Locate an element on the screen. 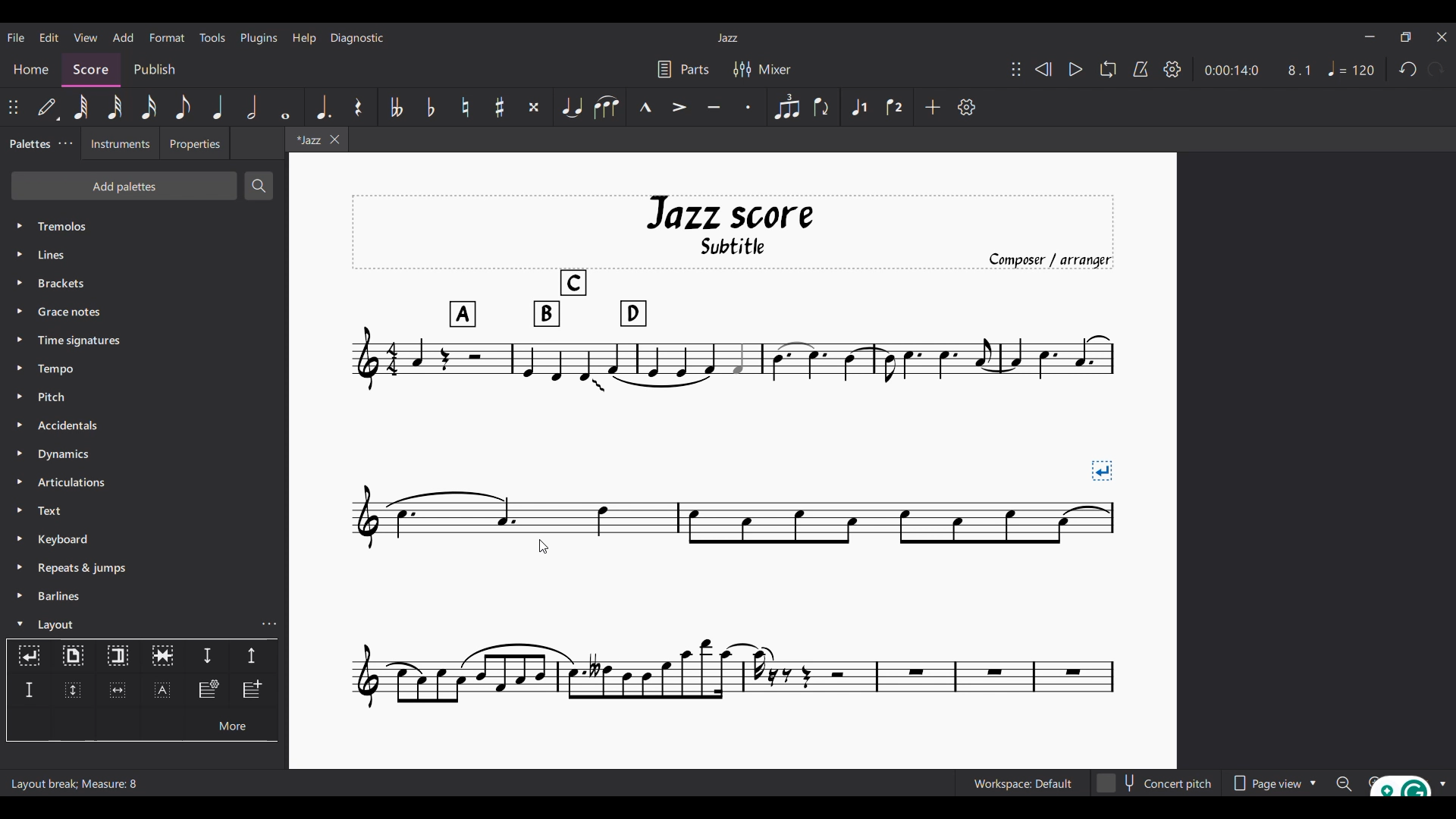  Augmentation dot is located at coordinates (323, 107).